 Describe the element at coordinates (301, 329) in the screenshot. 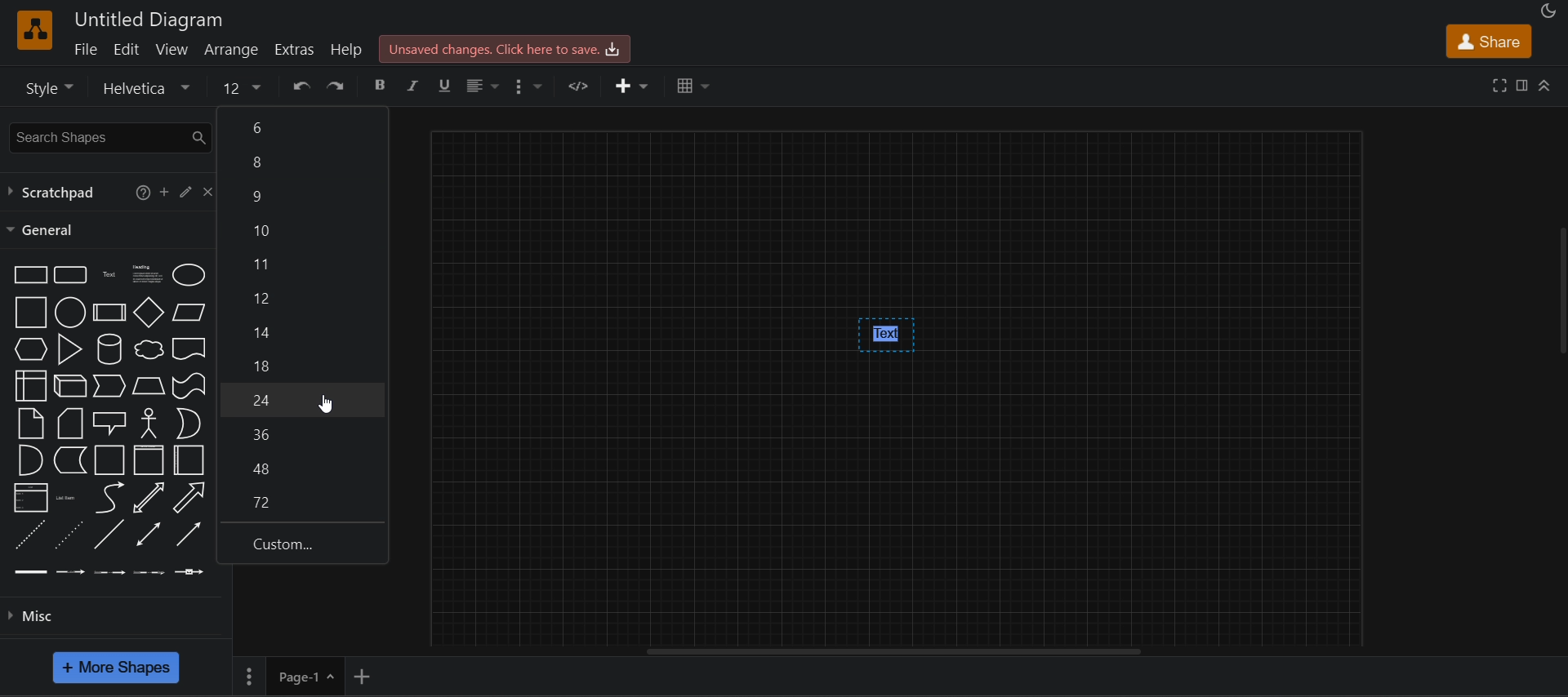

I see `` at that location.